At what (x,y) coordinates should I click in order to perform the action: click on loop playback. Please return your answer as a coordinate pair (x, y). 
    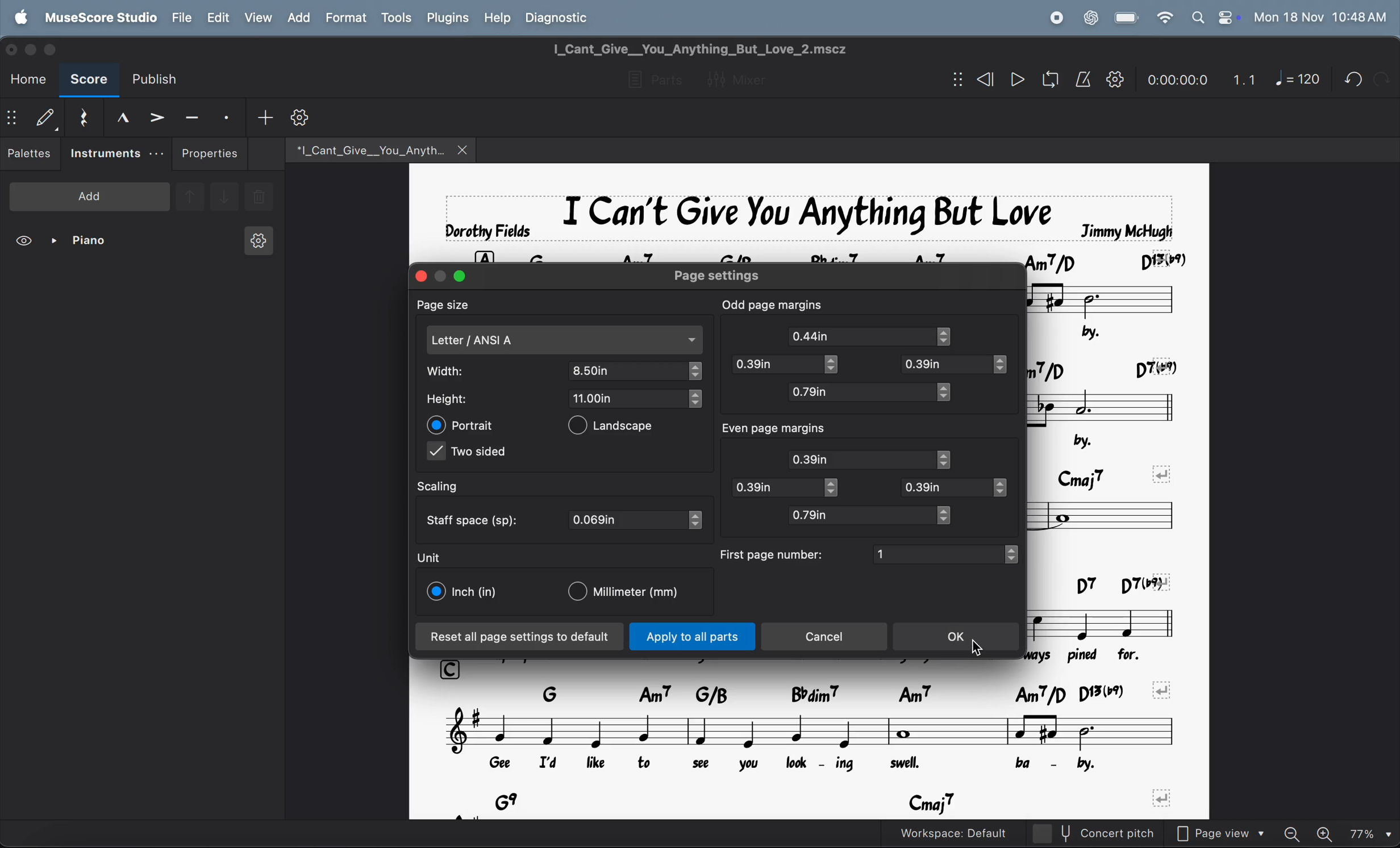
    Looking at the image, I should click on (1034, 81).